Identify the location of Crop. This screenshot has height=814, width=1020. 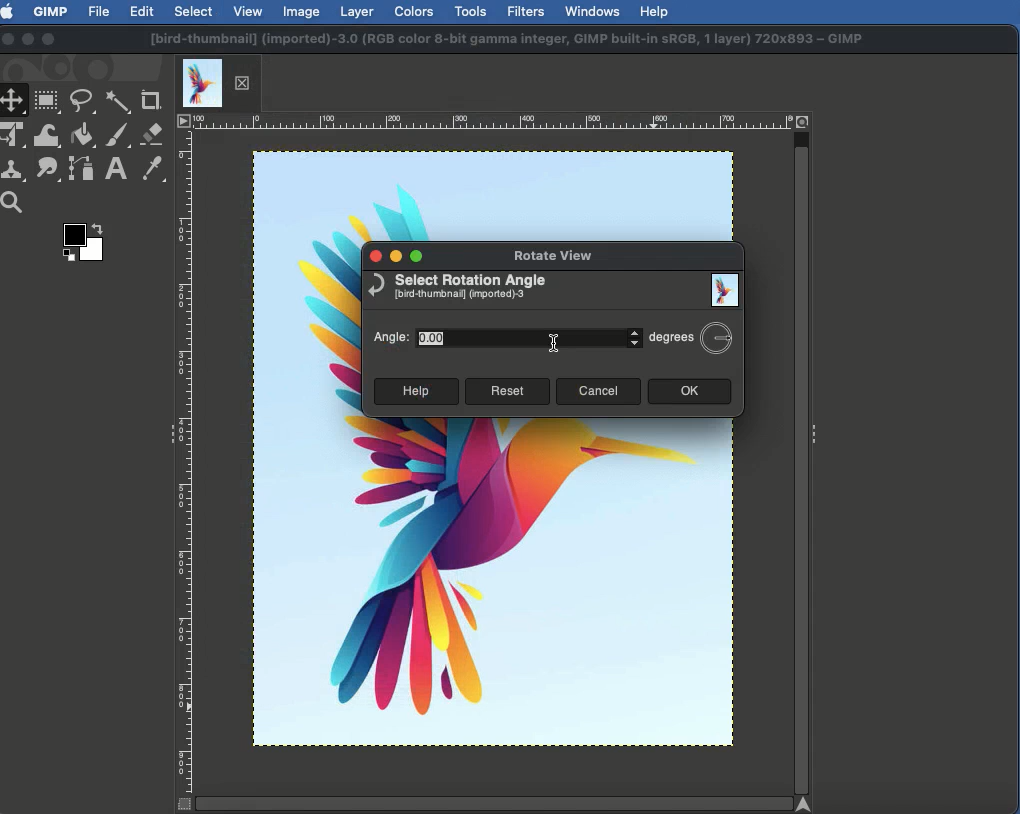
(151, 101).